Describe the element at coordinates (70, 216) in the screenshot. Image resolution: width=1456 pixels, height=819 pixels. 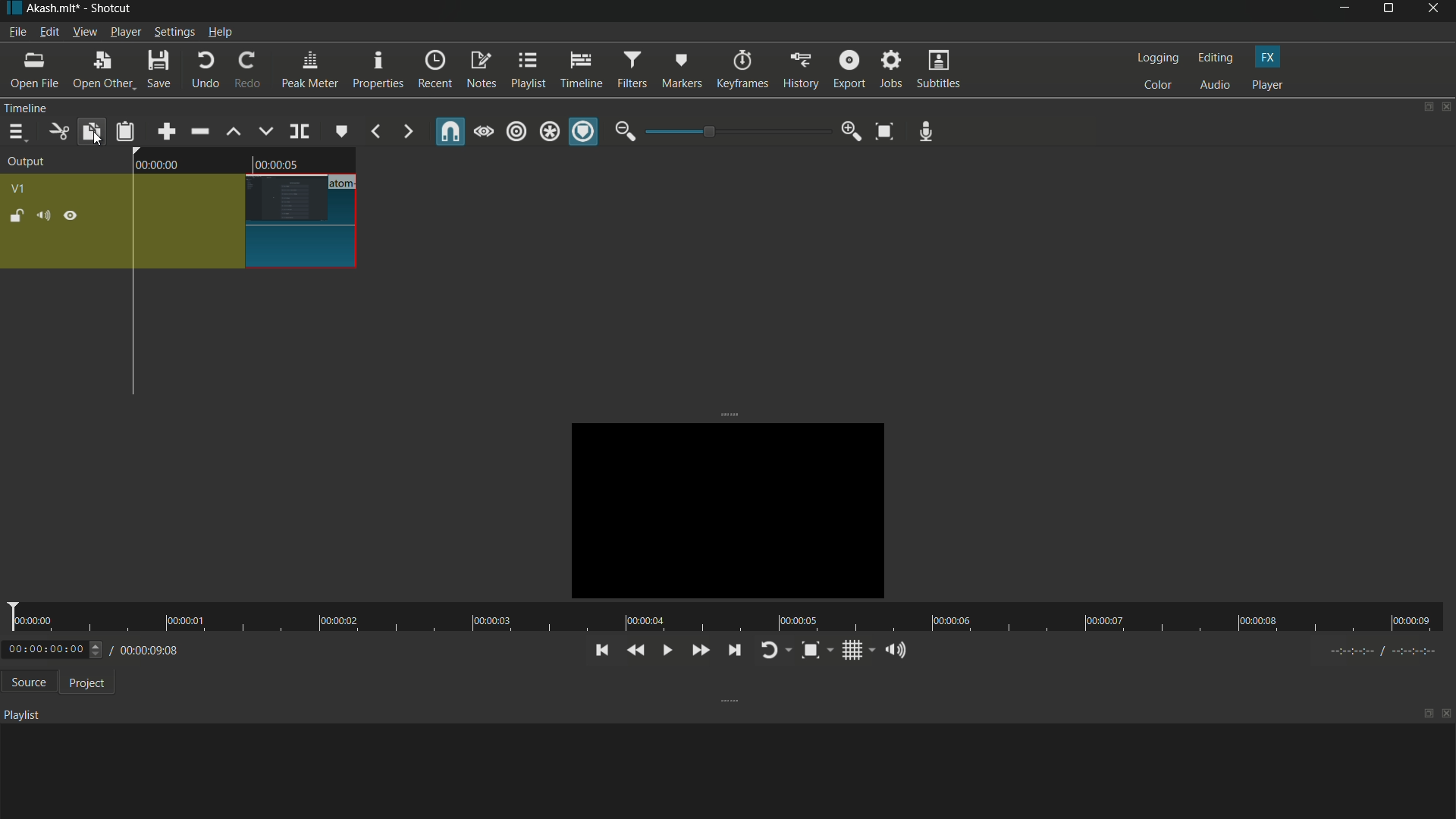
I see `hide` at that location.